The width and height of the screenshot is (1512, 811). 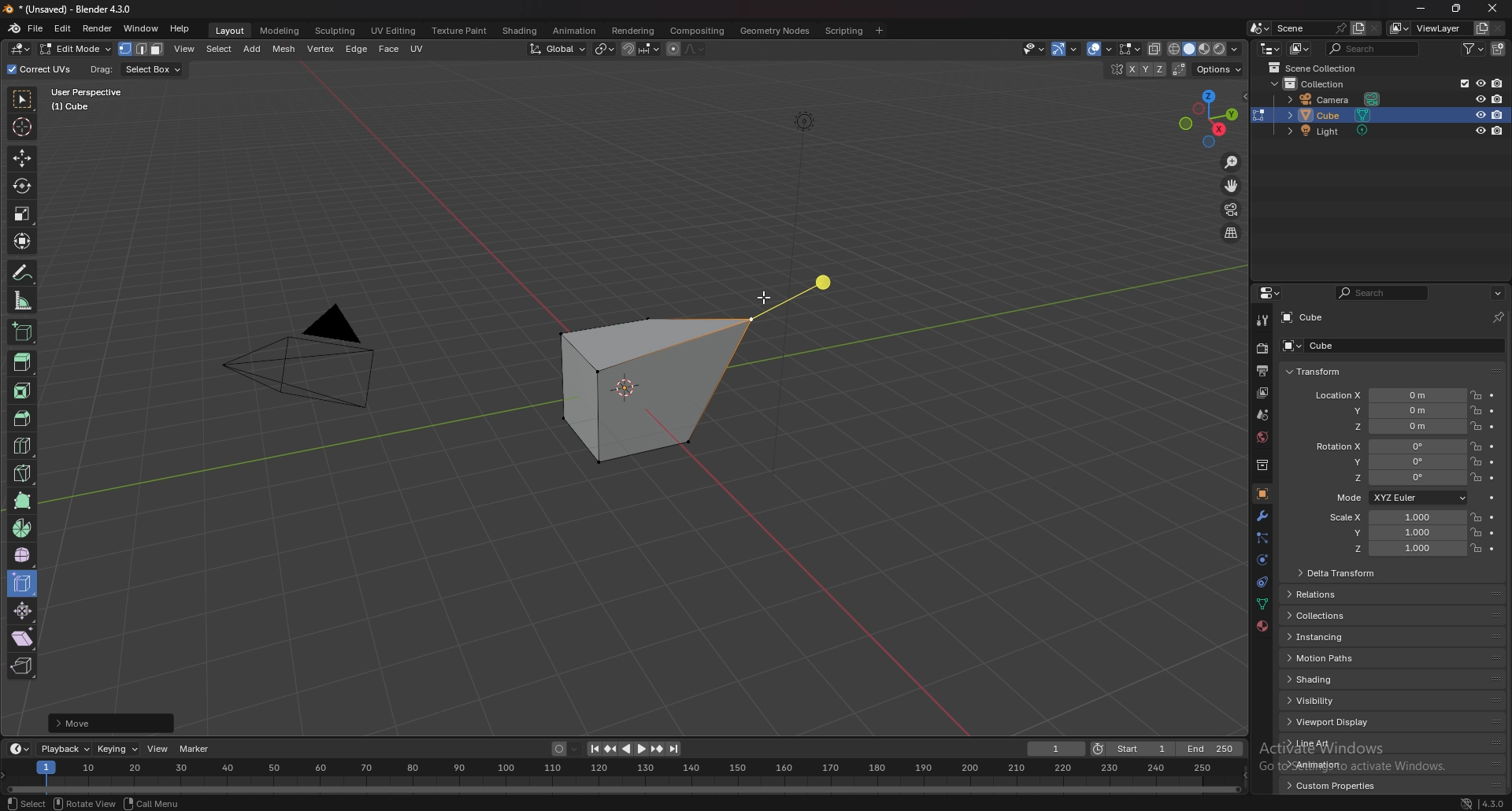 I want to click on editor type, so click(x=19, y=749).